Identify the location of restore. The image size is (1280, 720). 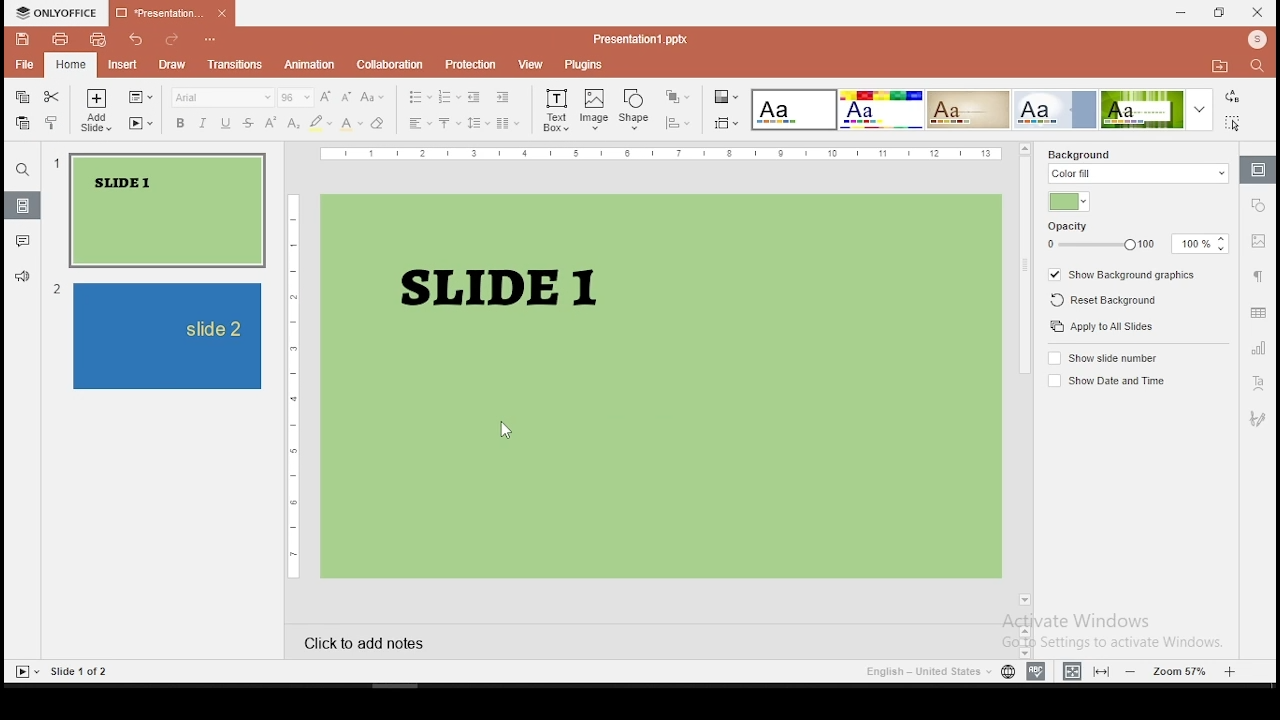
(1218, 13).